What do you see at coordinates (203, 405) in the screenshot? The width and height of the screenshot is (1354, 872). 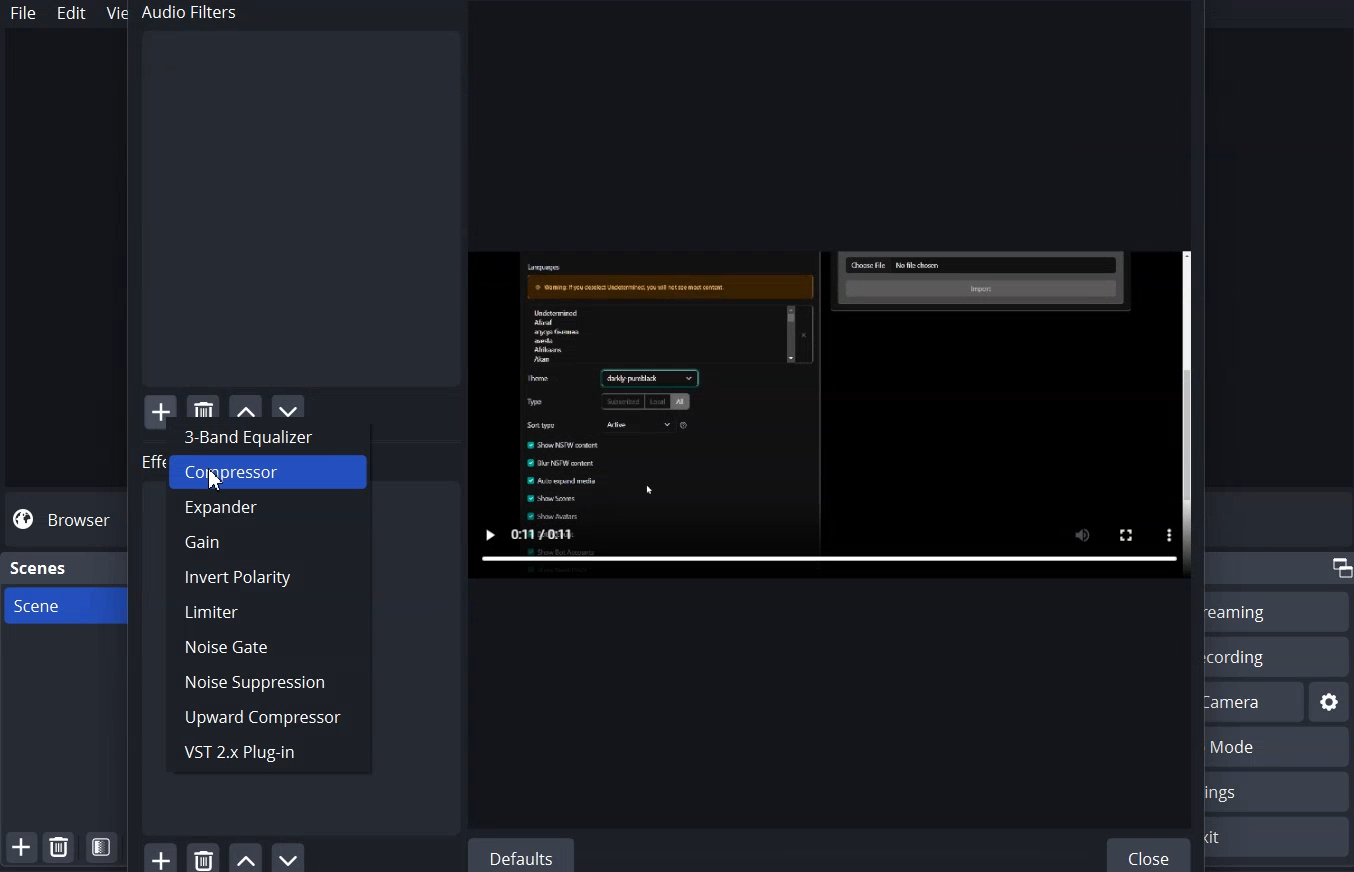 I see `Remove Filter` at bounding box center [203, 405].